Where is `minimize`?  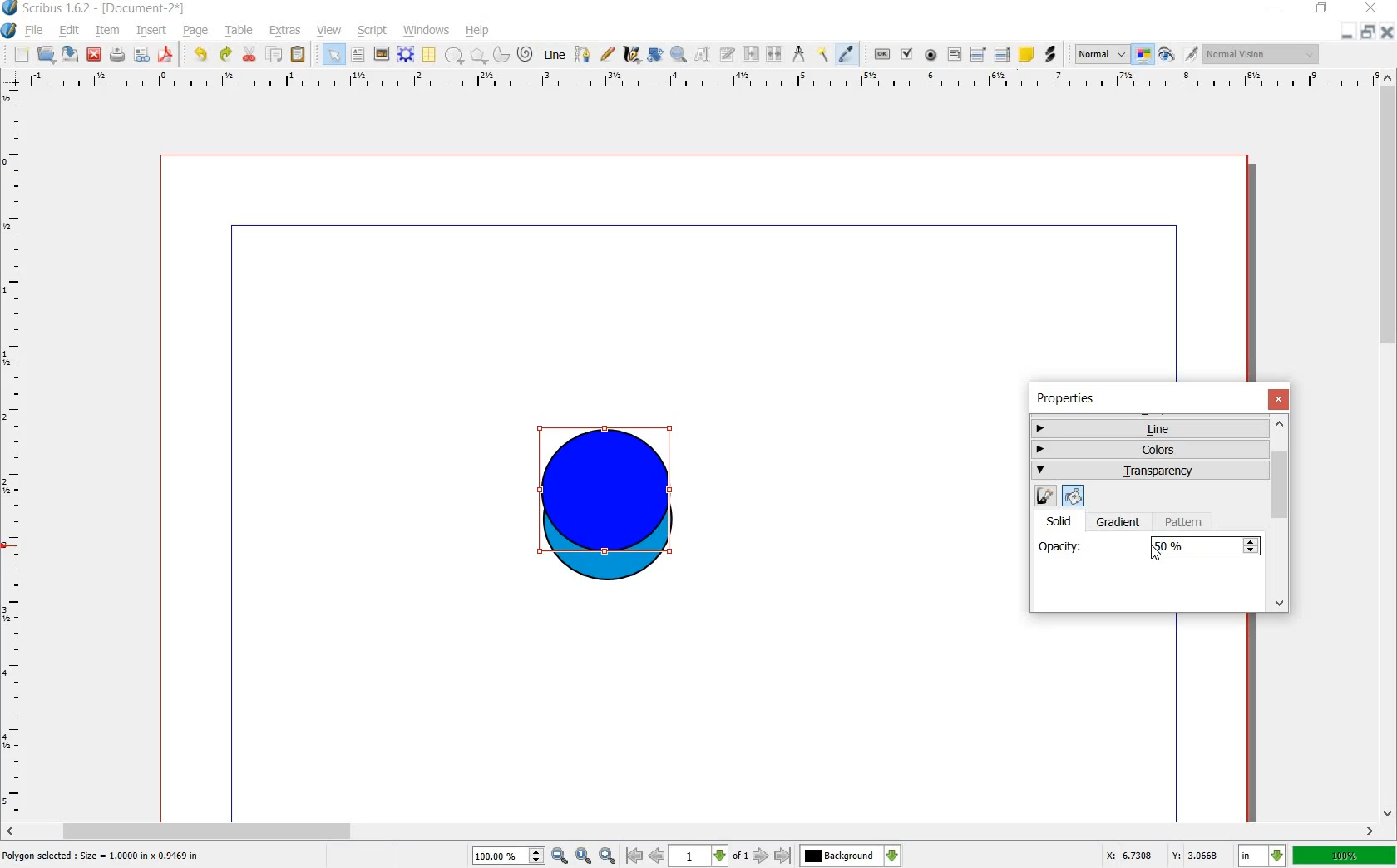 minimize is located at coordinates (1274, 7).